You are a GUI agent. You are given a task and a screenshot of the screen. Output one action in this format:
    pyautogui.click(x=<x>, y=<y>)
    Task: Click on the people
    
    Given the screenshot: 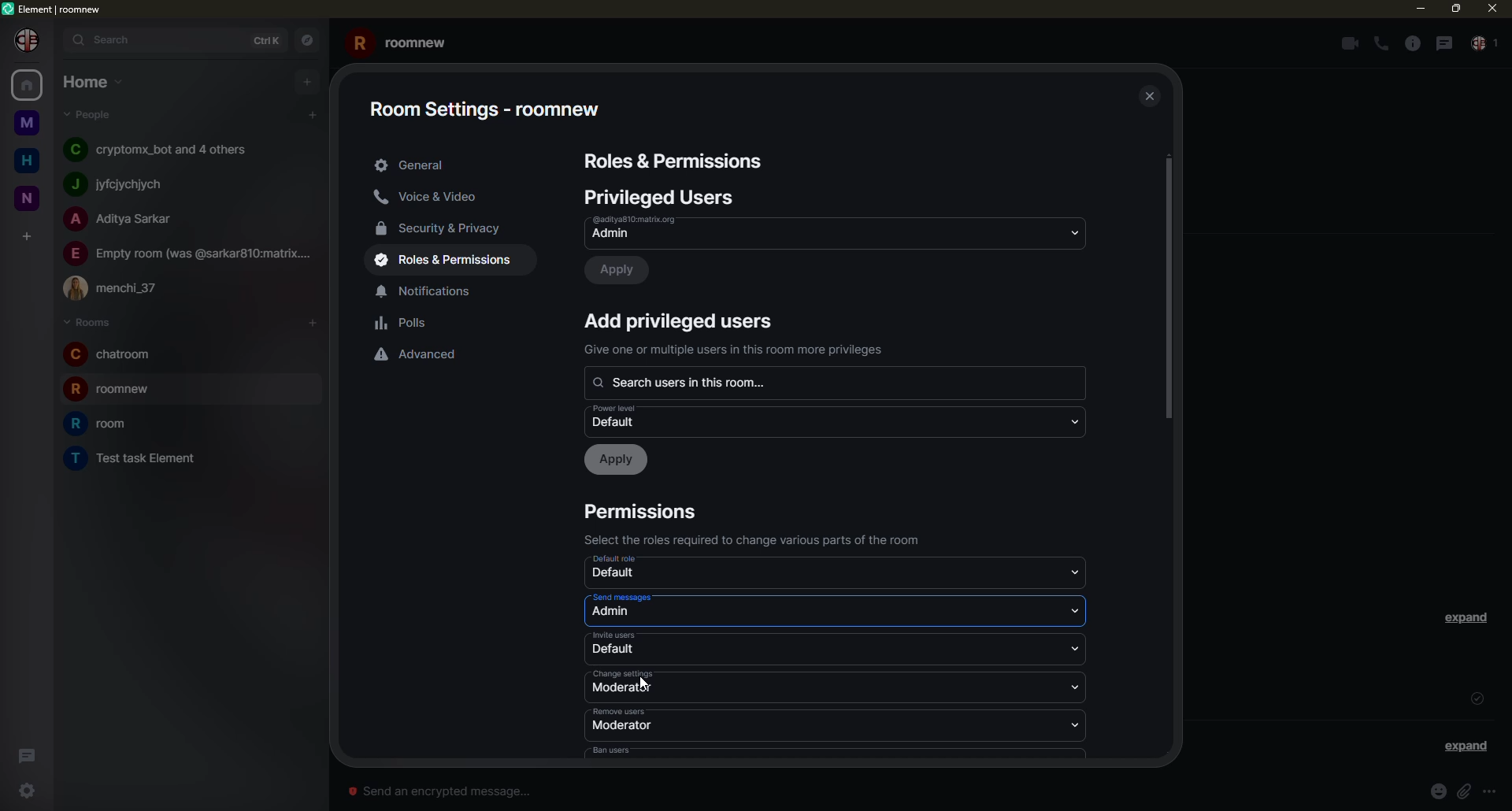 What is the action you would take?
    pyautogui.click(x=124, y=183)
    